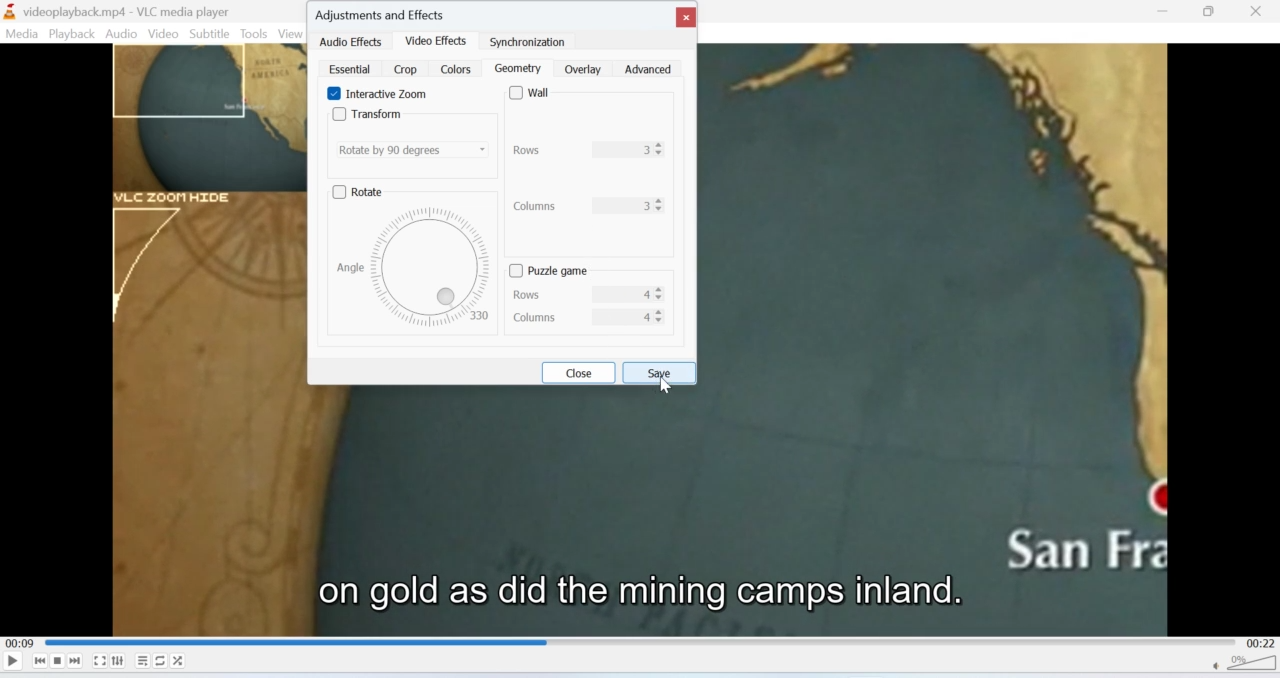 This screenshot has width=1280, height=678. I want to click on Stop, so click(58, 661).